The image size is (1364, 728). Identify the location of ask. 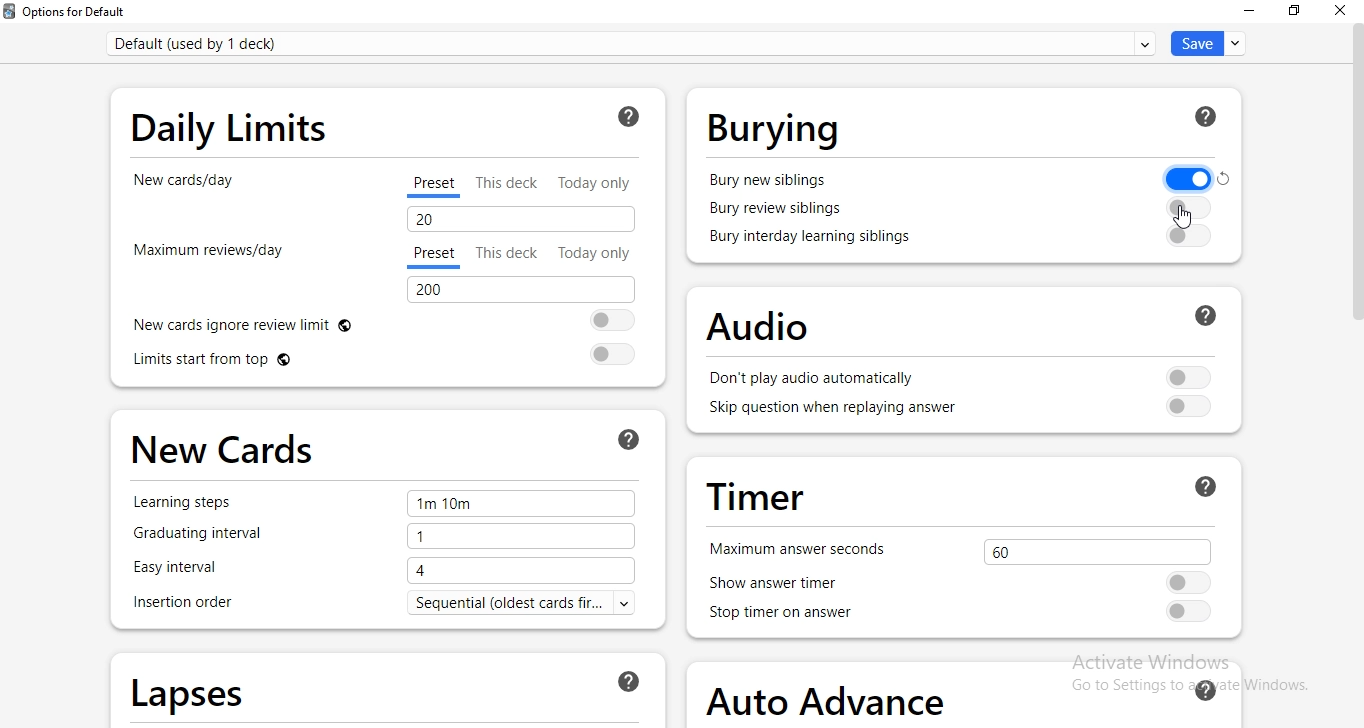
(1214, 315).